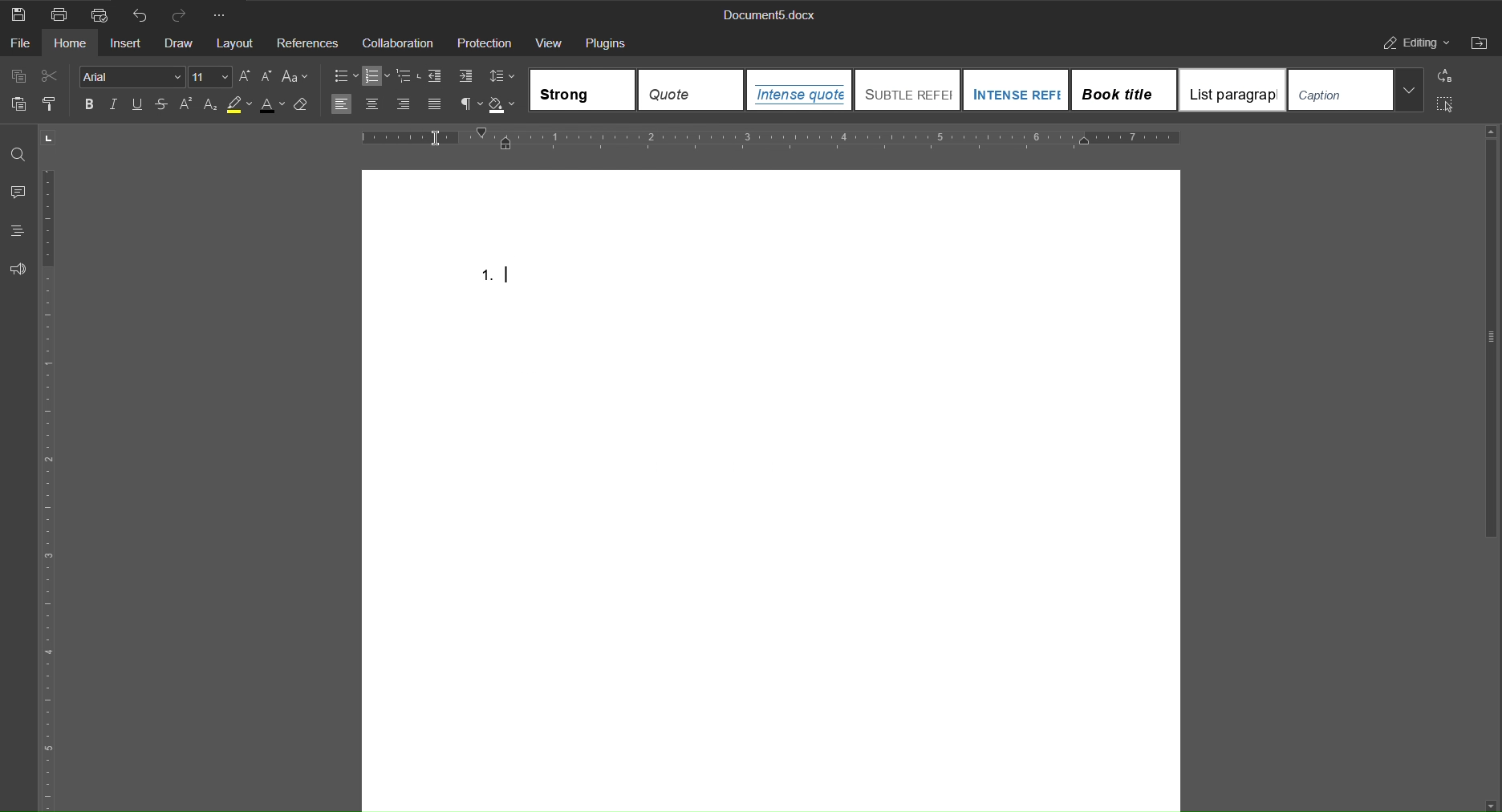 The height and width of the screenshot is (812, 1502). I want to click on Text Color, so click(272, 104).